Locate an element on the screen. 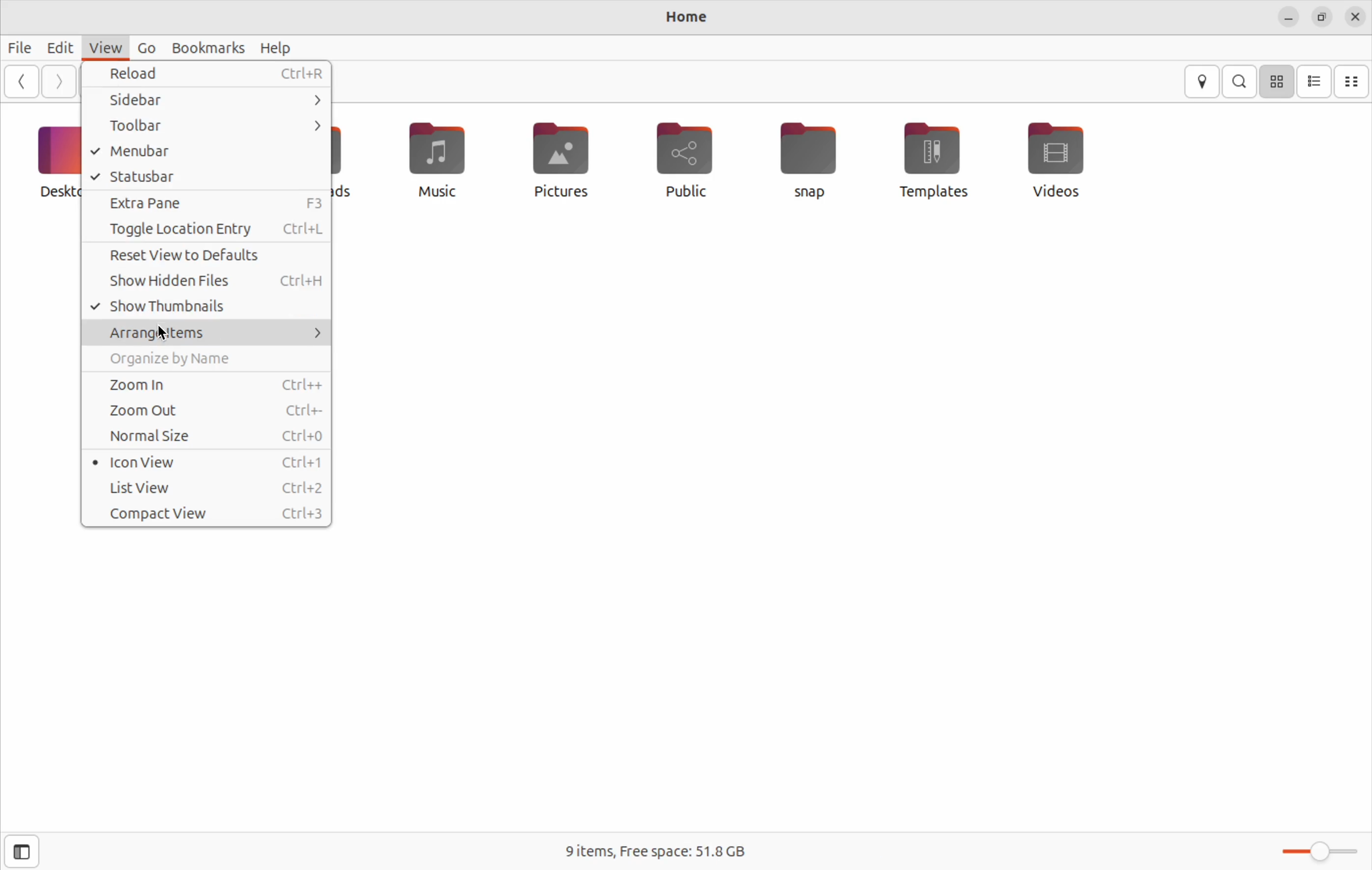  Toggle bar is located at coordinates (1316, 849).